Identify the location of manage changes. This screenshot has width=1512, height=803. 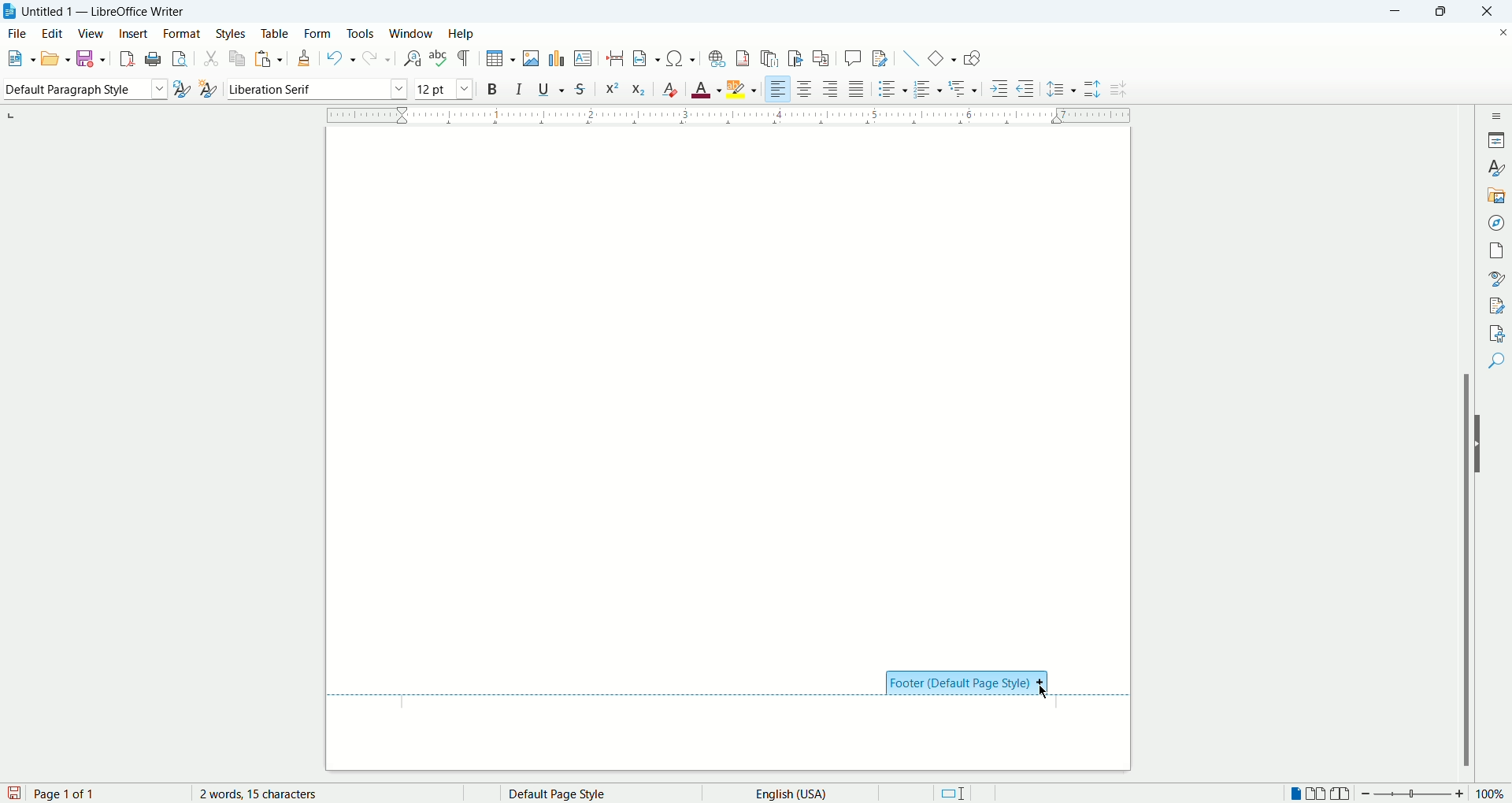
(1498, 306).